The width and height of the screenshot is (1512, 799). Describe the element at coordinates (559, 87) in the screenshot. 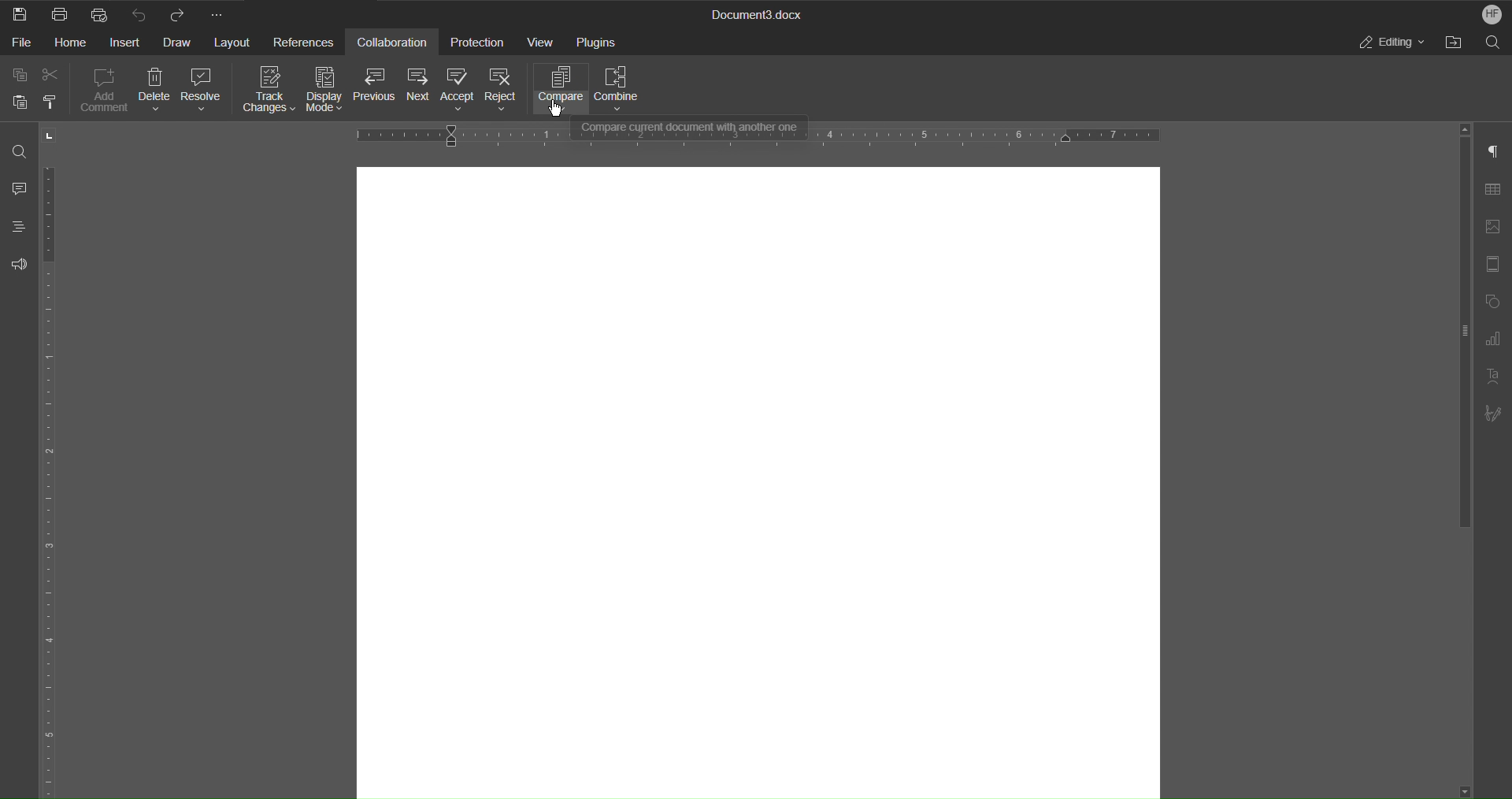

I see `Compare` at that location.